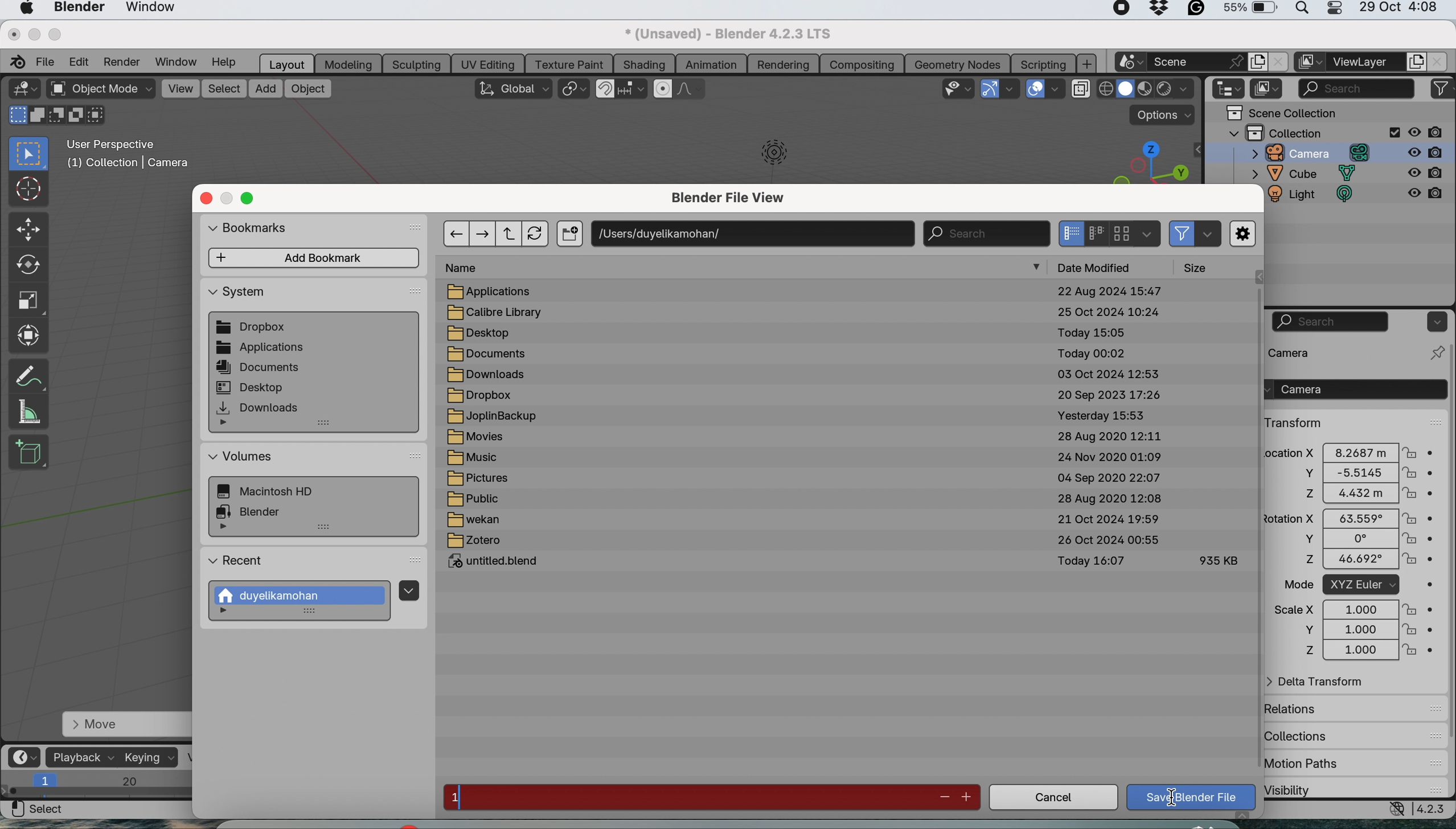 This screenshot has width=1456, height=829. Describe the element at coordinates (494, 417) in the screenshot. I see `joplin backup` at that location.